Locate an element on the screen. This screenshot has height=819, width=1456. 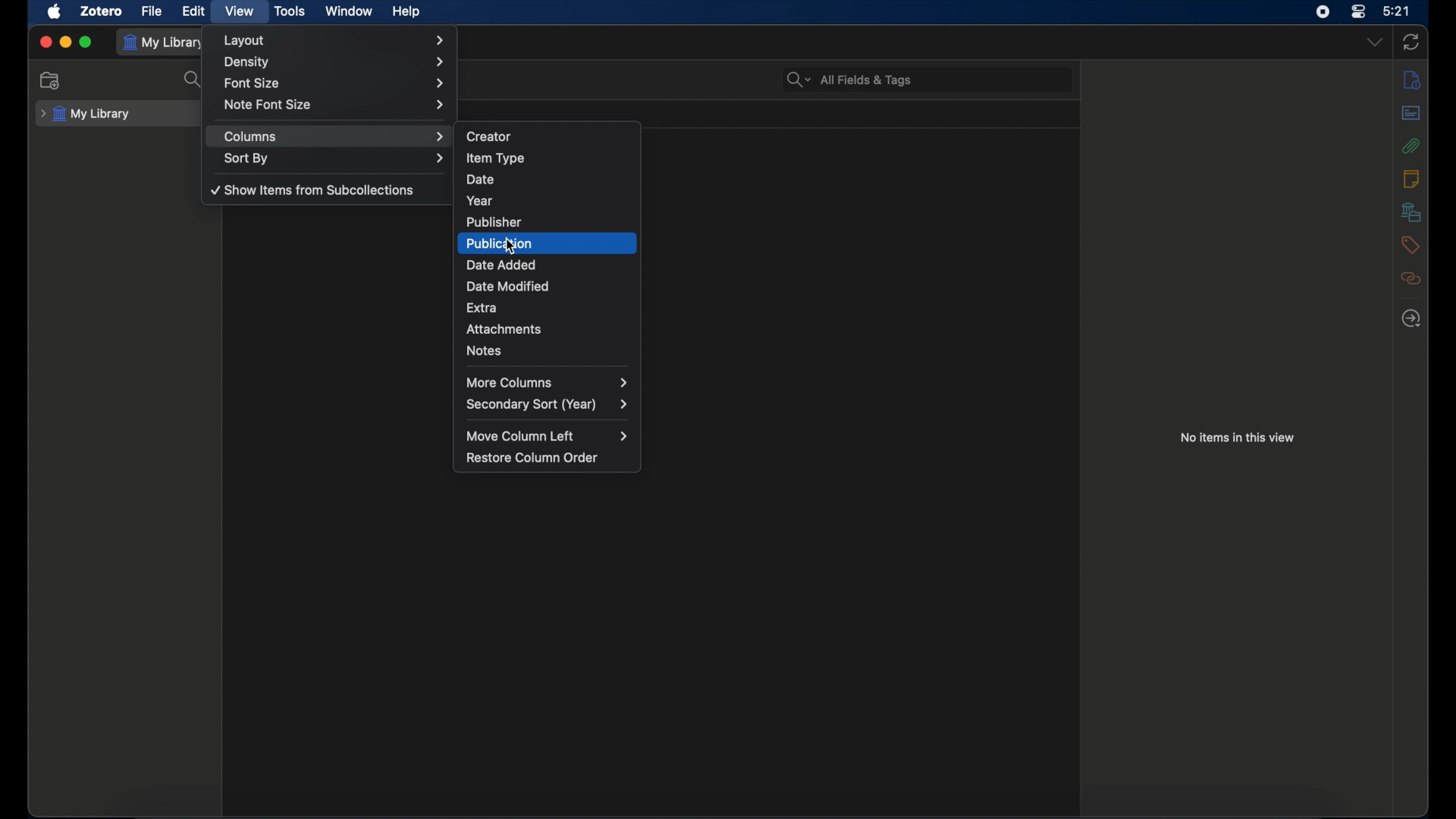
minimize is located at coordinates (65, 42).